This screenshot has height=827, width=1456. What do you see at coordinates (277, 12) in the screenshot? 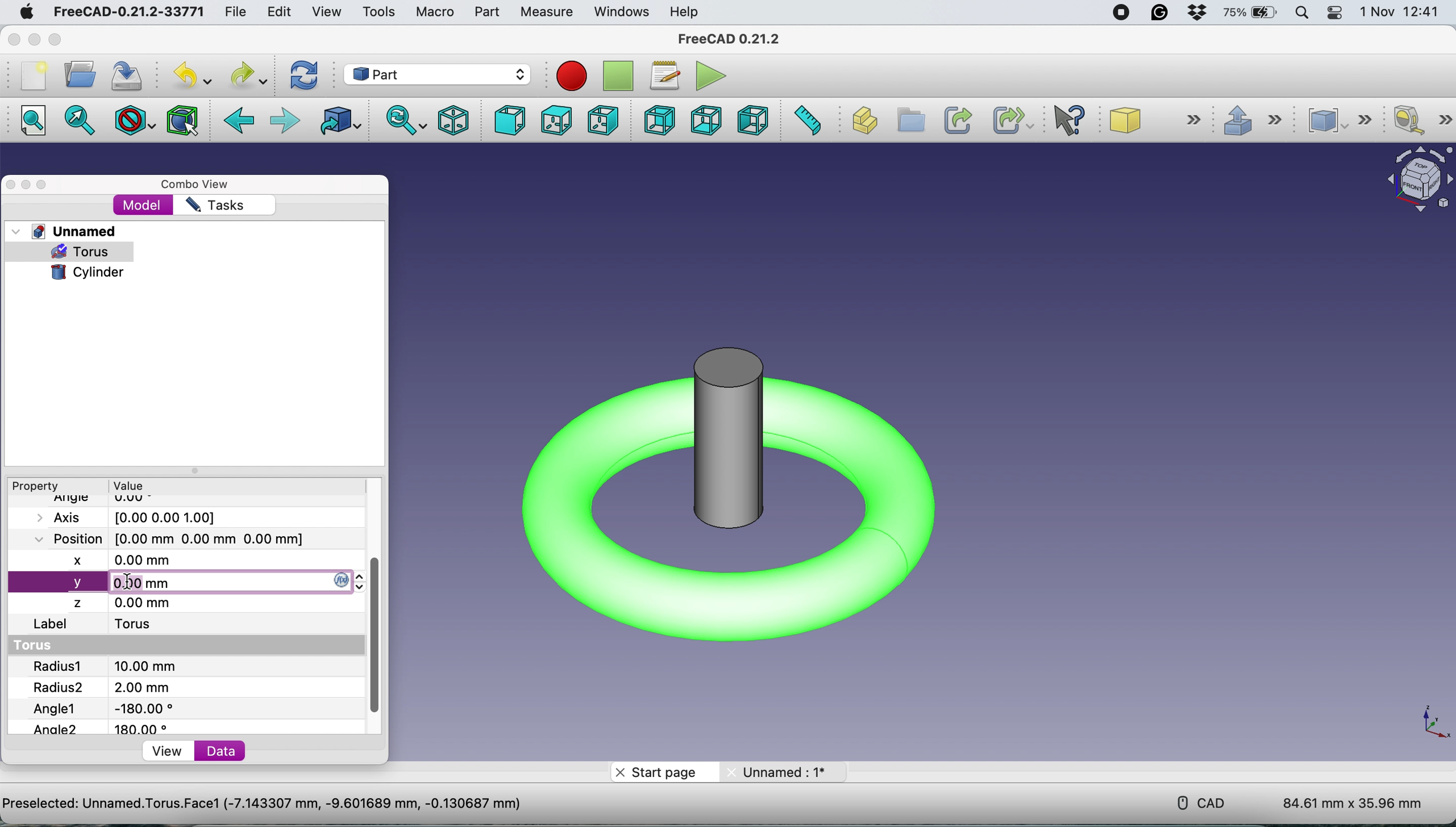
I see `edit` at bounding box center [277, 12].